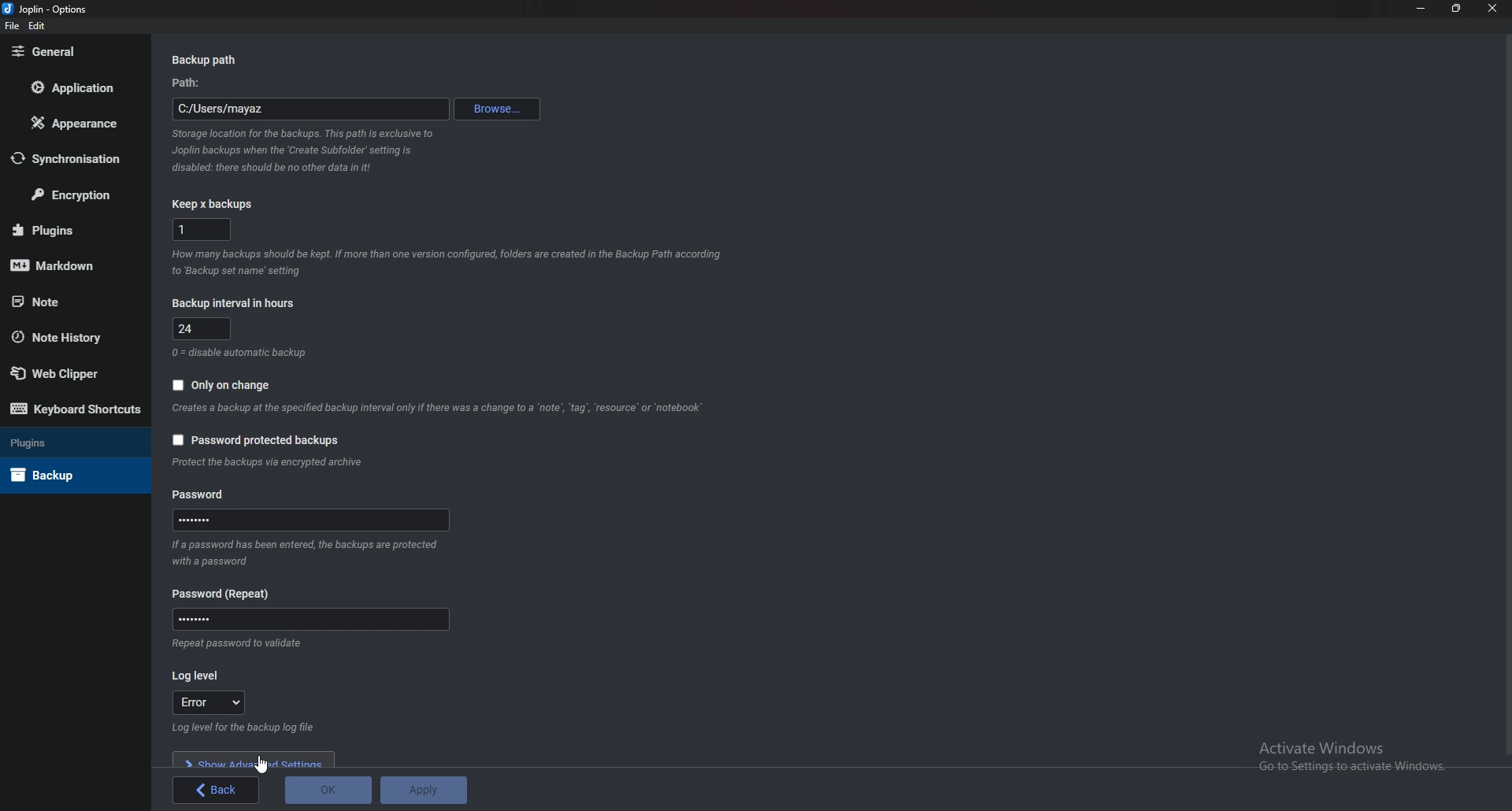 Image resolution: width=1512 pixels, height=811 pixels. I want to click on info, so click(447, 263).